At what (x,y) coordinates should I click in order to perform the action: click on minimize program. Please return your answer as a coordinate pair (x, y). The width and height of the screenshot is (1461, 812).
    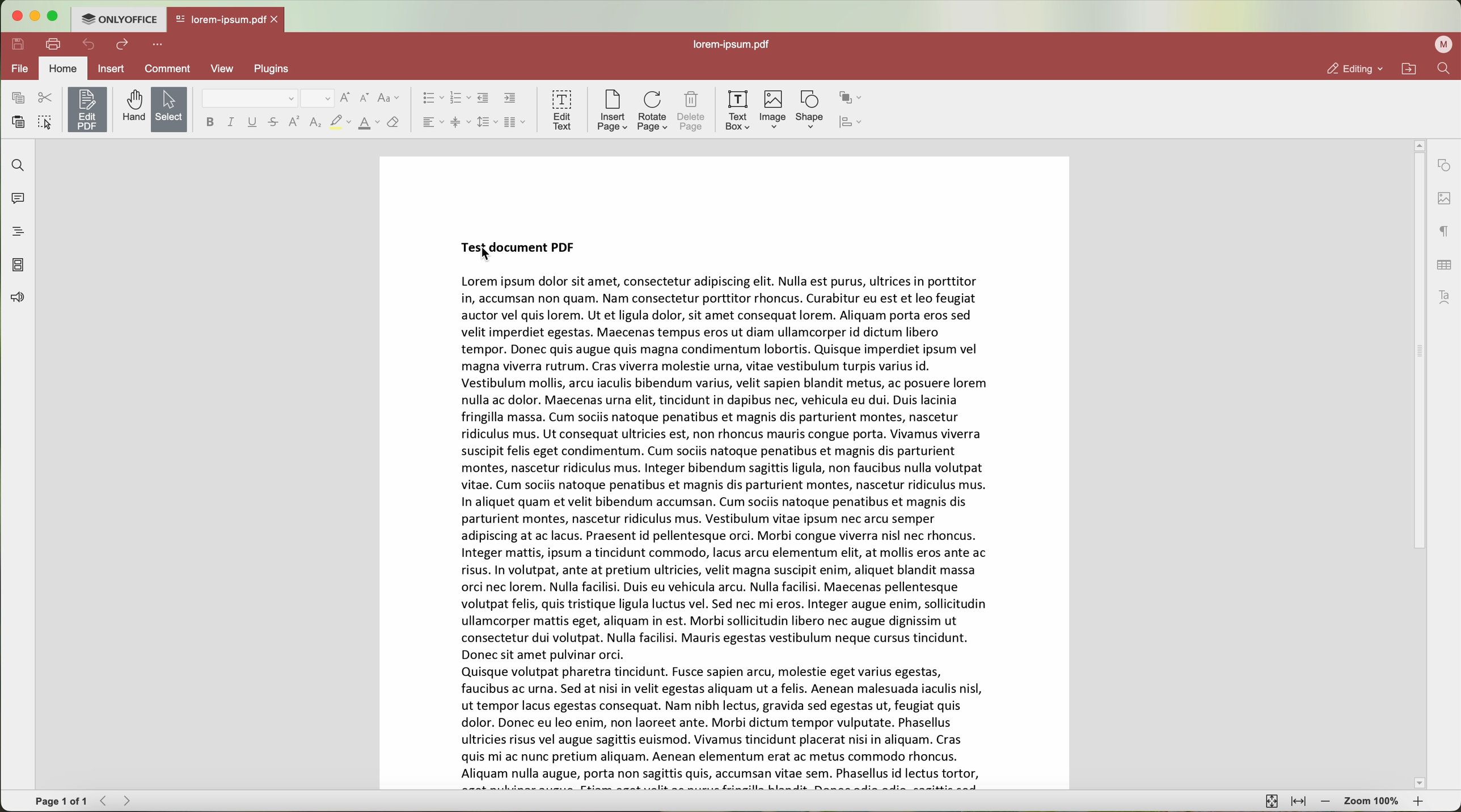
    Looking at the image, I should click on (37, 17).